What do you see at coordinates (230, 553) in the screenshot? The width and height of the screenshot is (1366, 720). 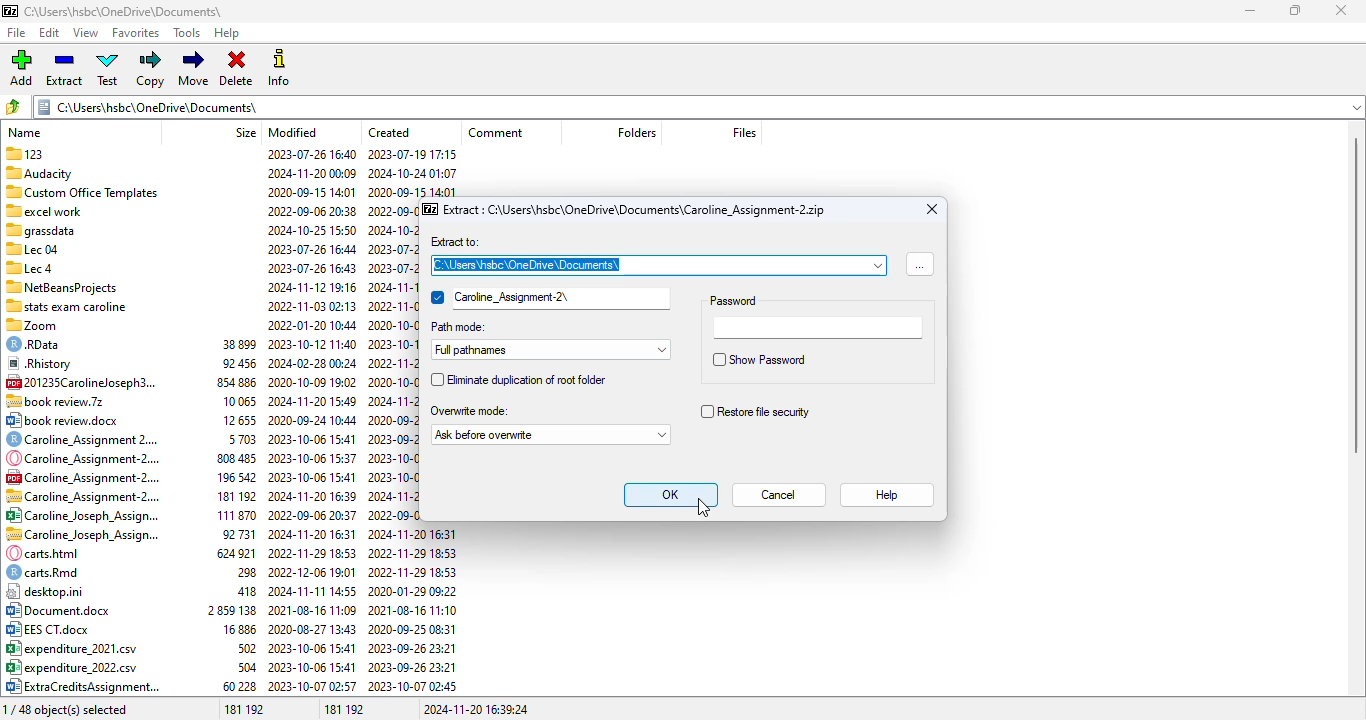 I see `carts.htm! 624921 2022-11-29 1853 2022-11-29 18:53` at bounding box center [230, 553].